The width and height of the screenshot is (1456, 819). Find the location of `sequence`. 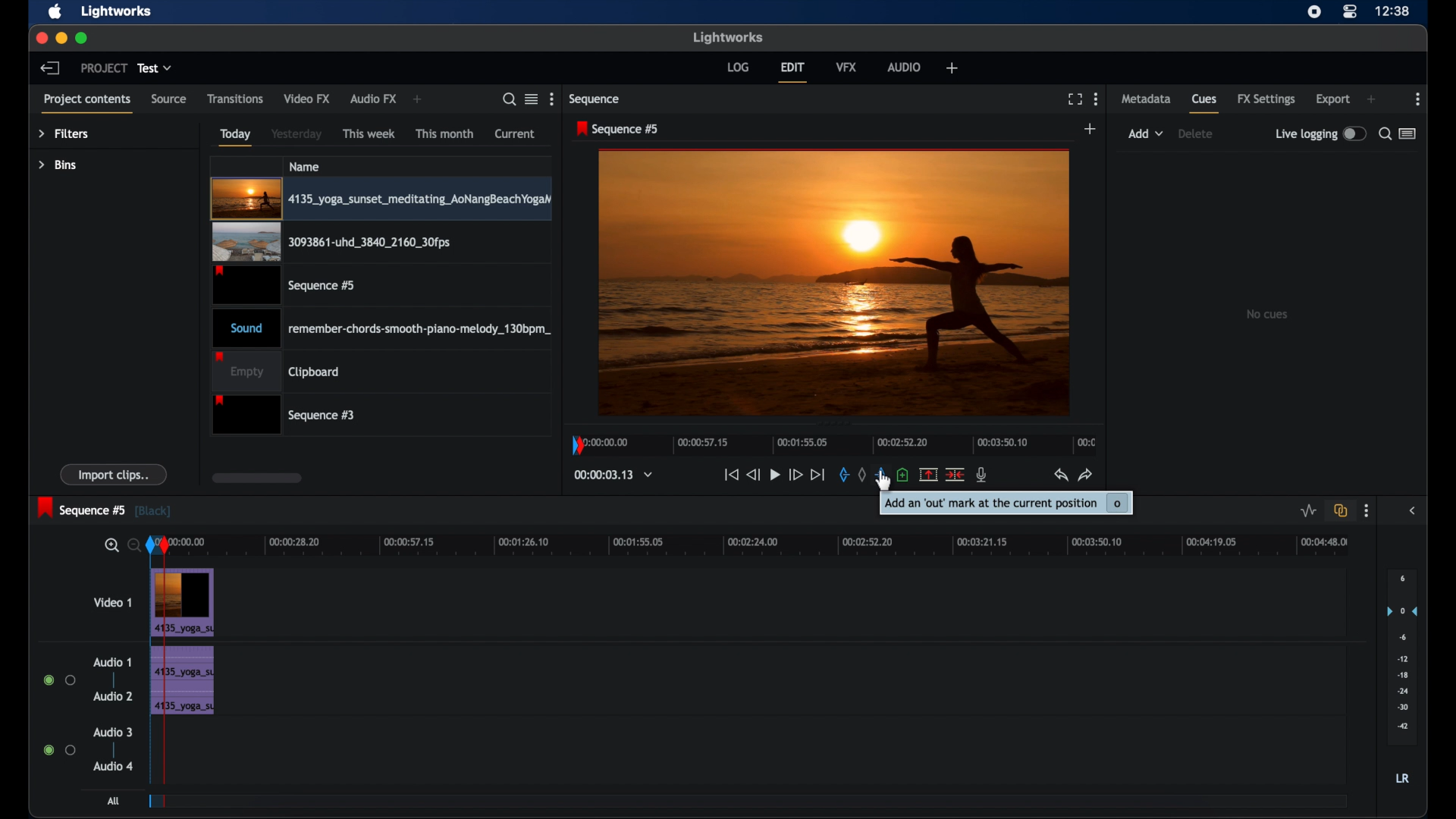

sequence is located at coordinates (105, 507).